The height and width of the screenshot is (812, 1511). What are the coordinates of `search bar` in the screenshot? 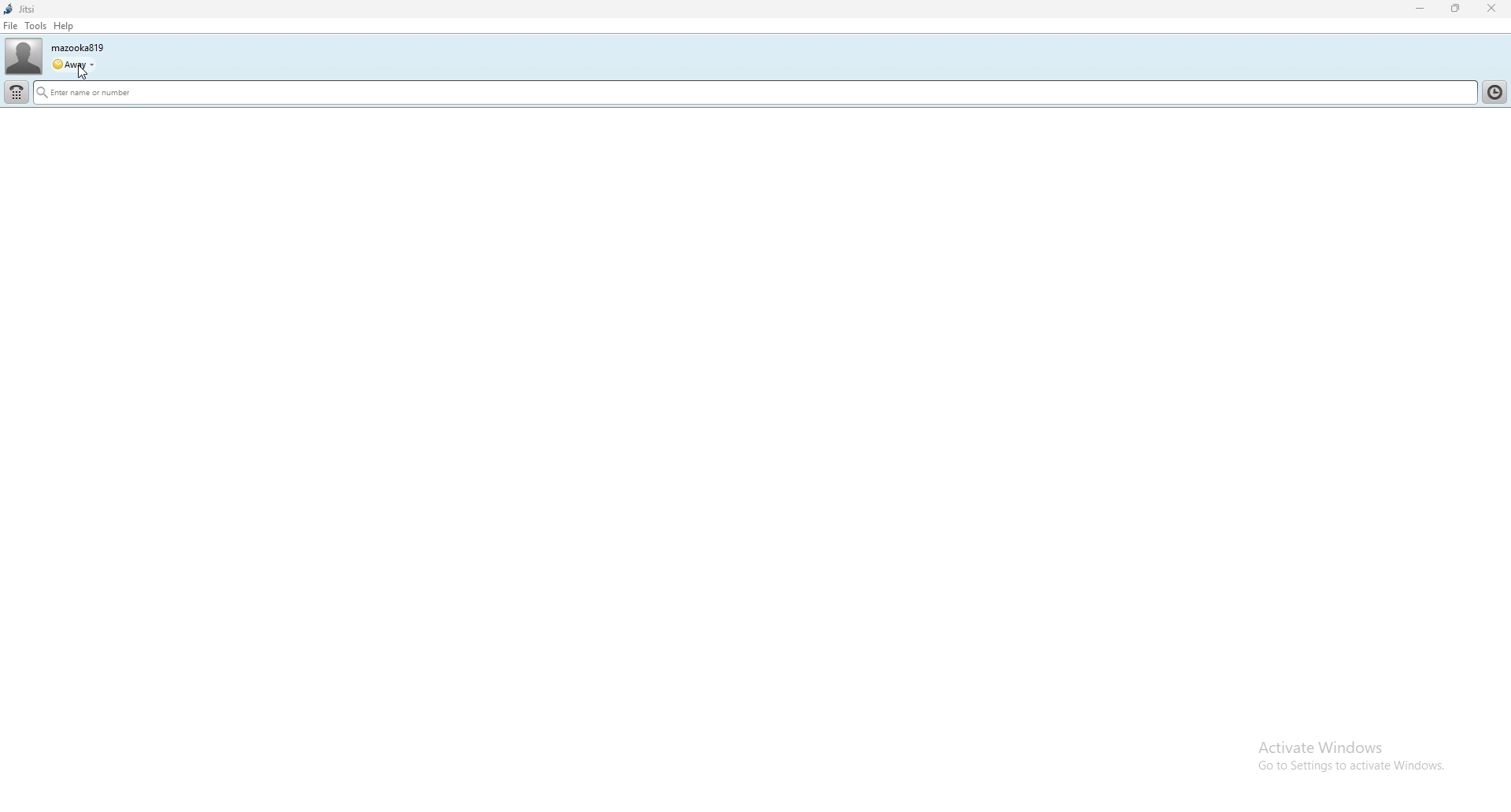 It's located at (753, 92).